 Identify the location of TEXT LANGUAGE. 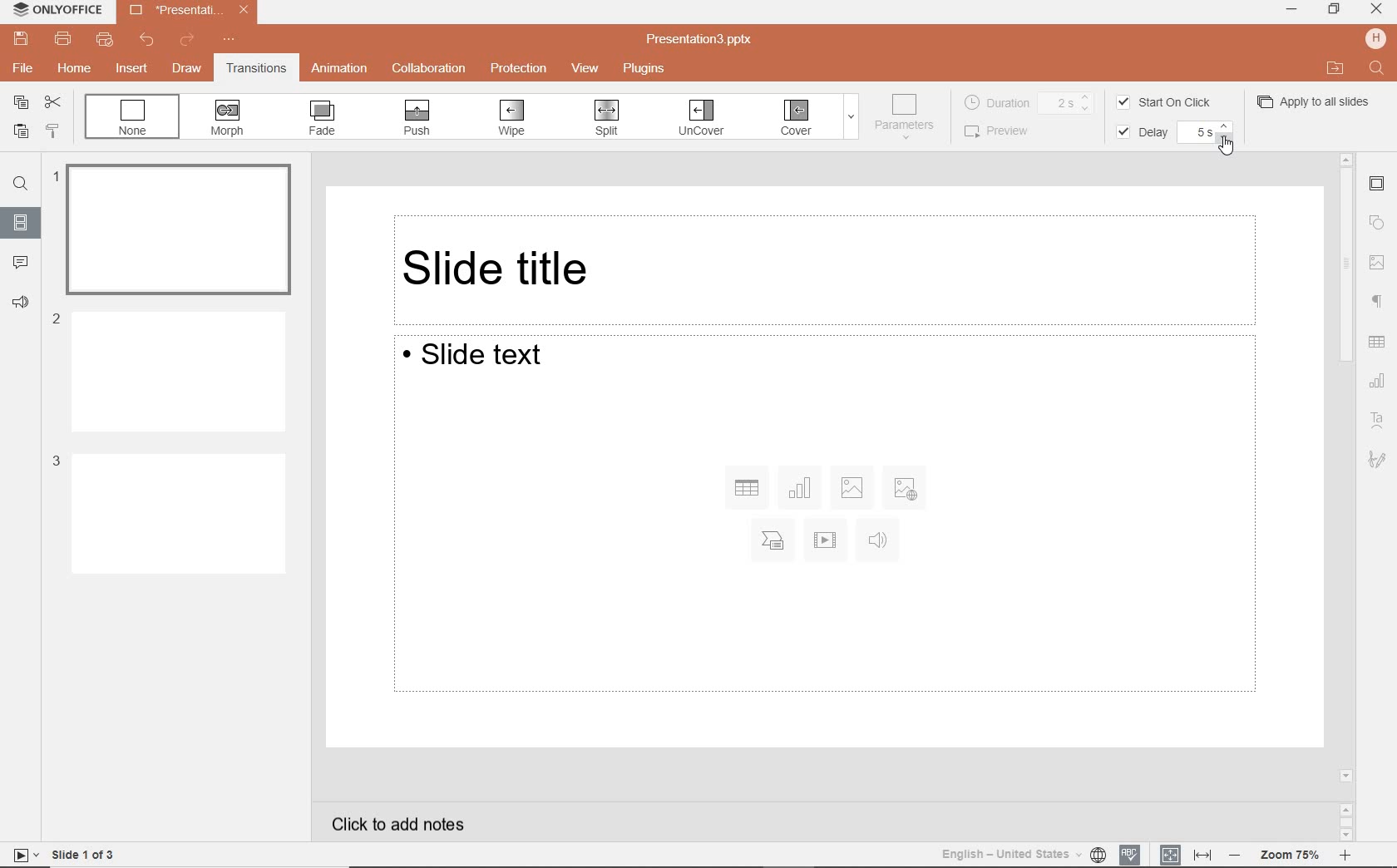
(1022, 854).